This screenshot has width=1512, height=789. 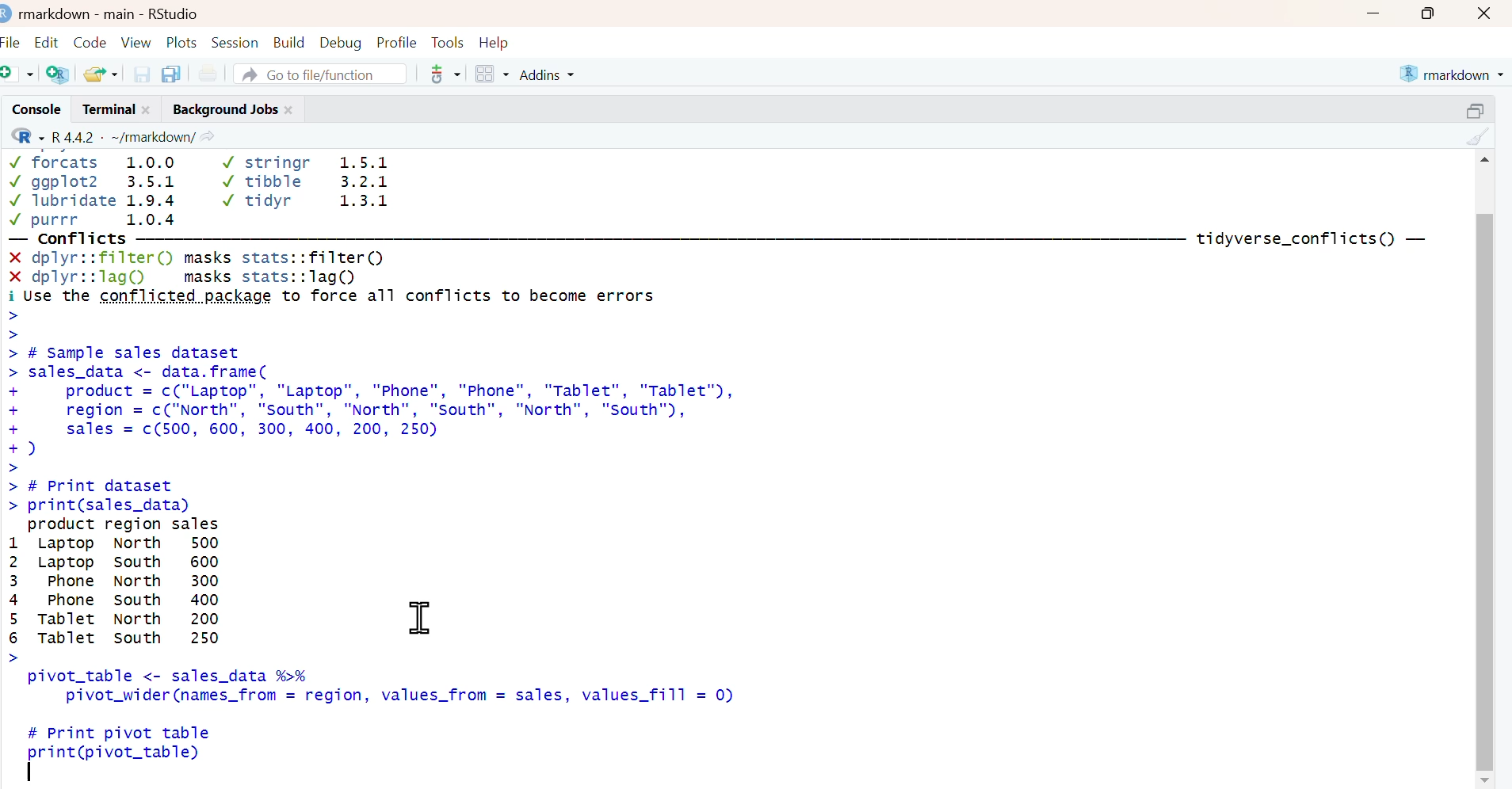 What do you see at coordinates (1454, 72) in the screenshot?
I see `markdown` at bounding box center [1454, 72].